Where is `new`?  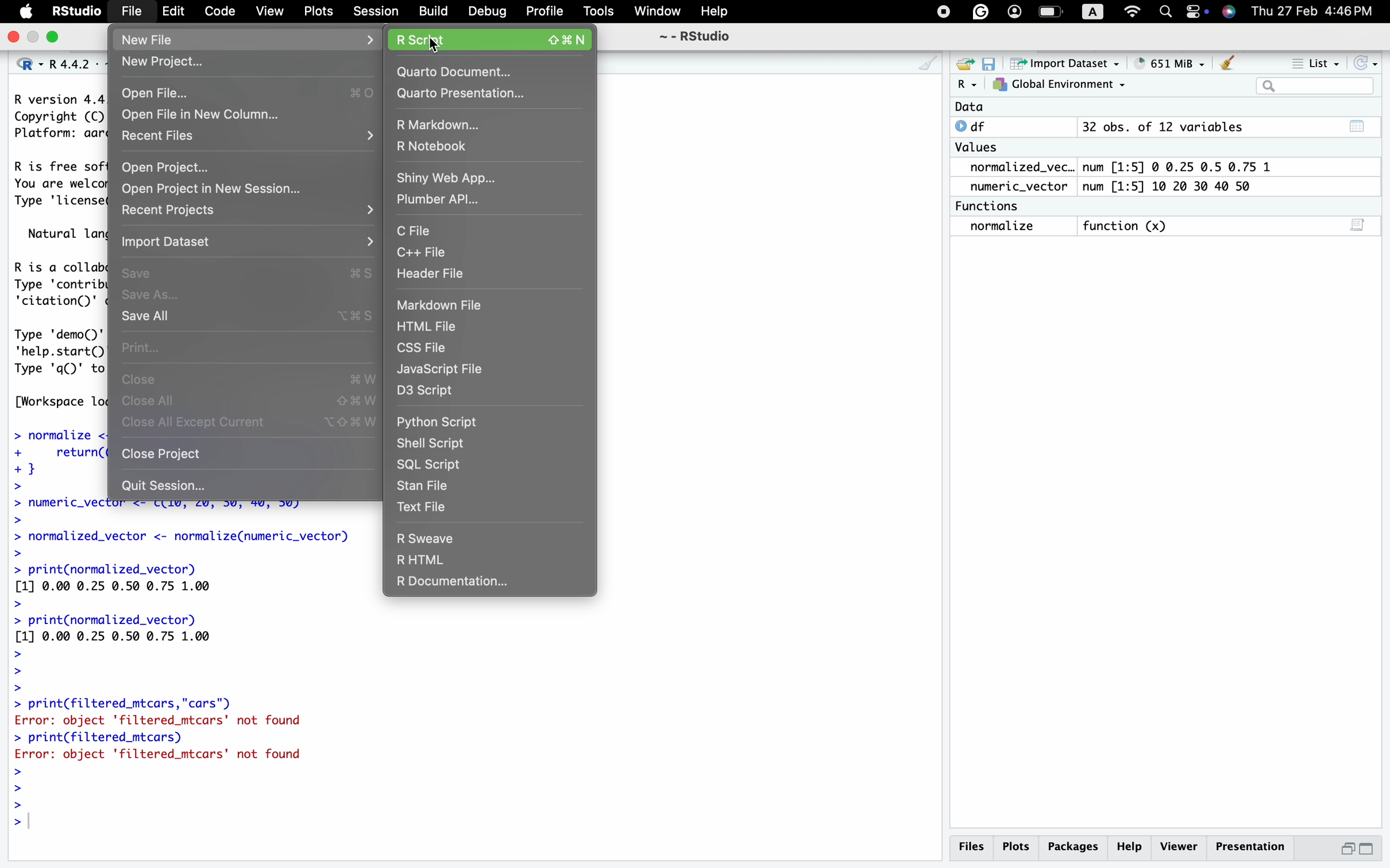 new is located at coordinates (967, 61).